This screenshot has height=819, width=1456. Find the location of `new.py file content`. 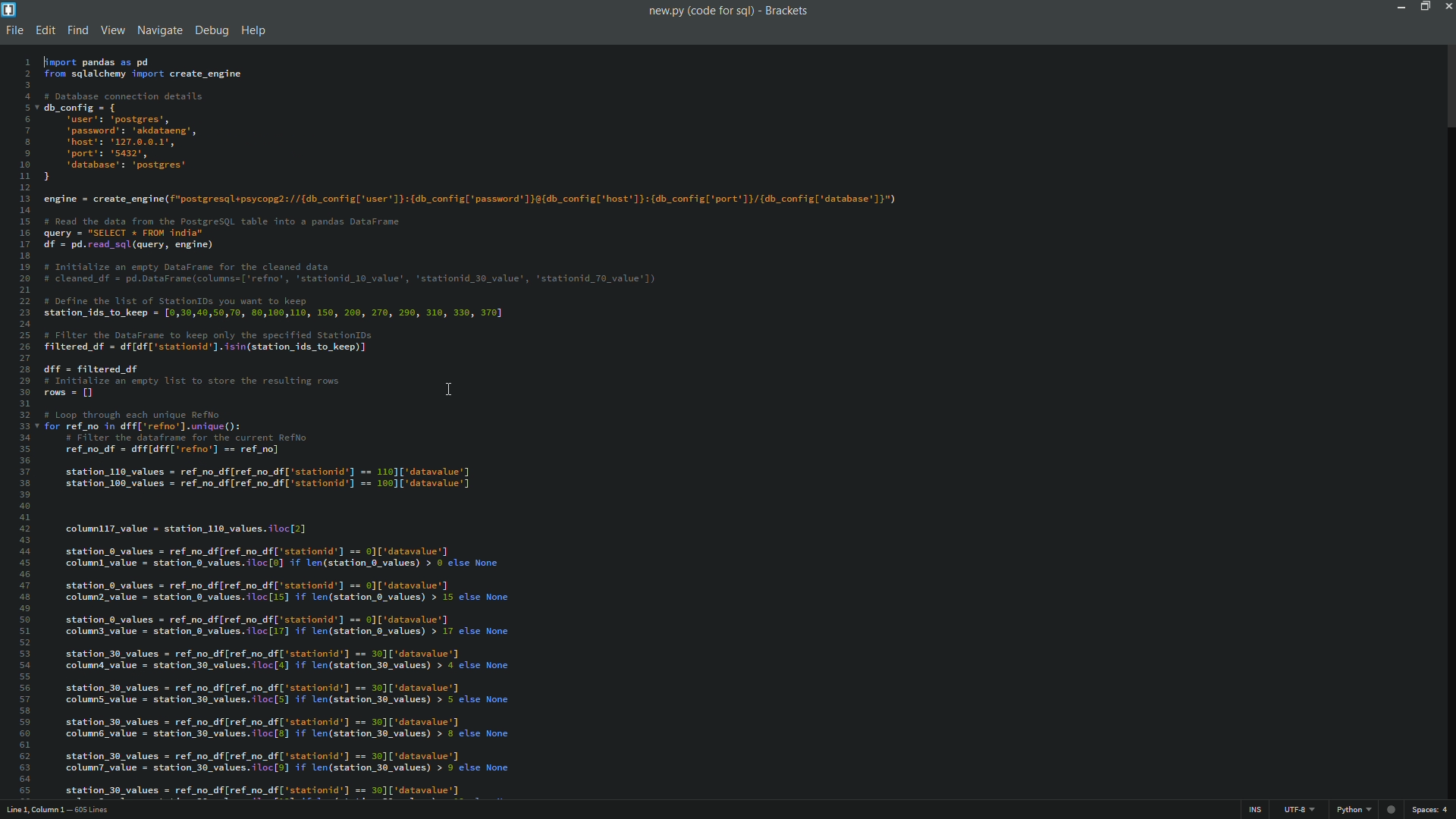

new.py file content is located at coordinates (533, 425).